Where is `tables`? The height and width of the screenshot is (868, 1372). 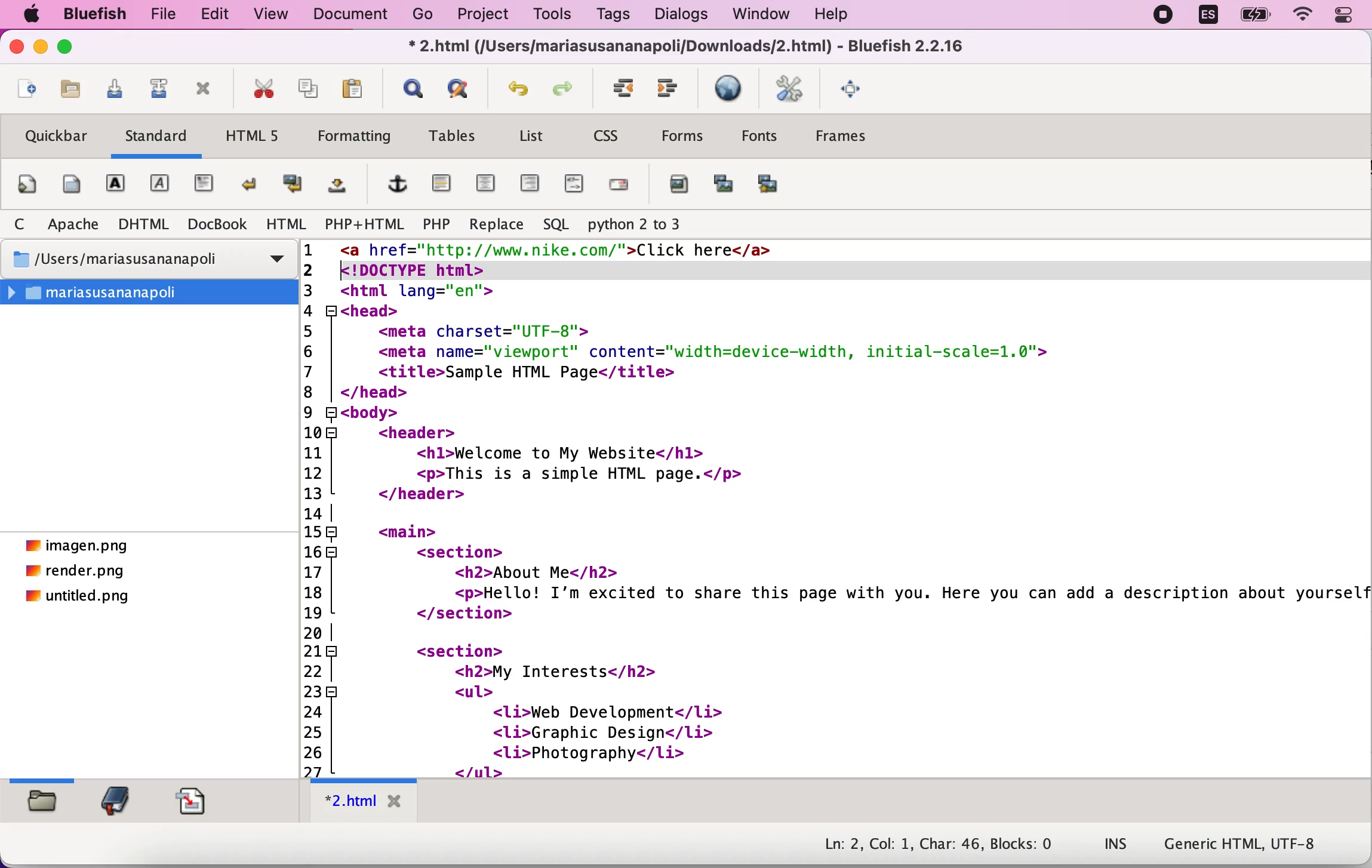 tables is located at coordinates (450, 138).